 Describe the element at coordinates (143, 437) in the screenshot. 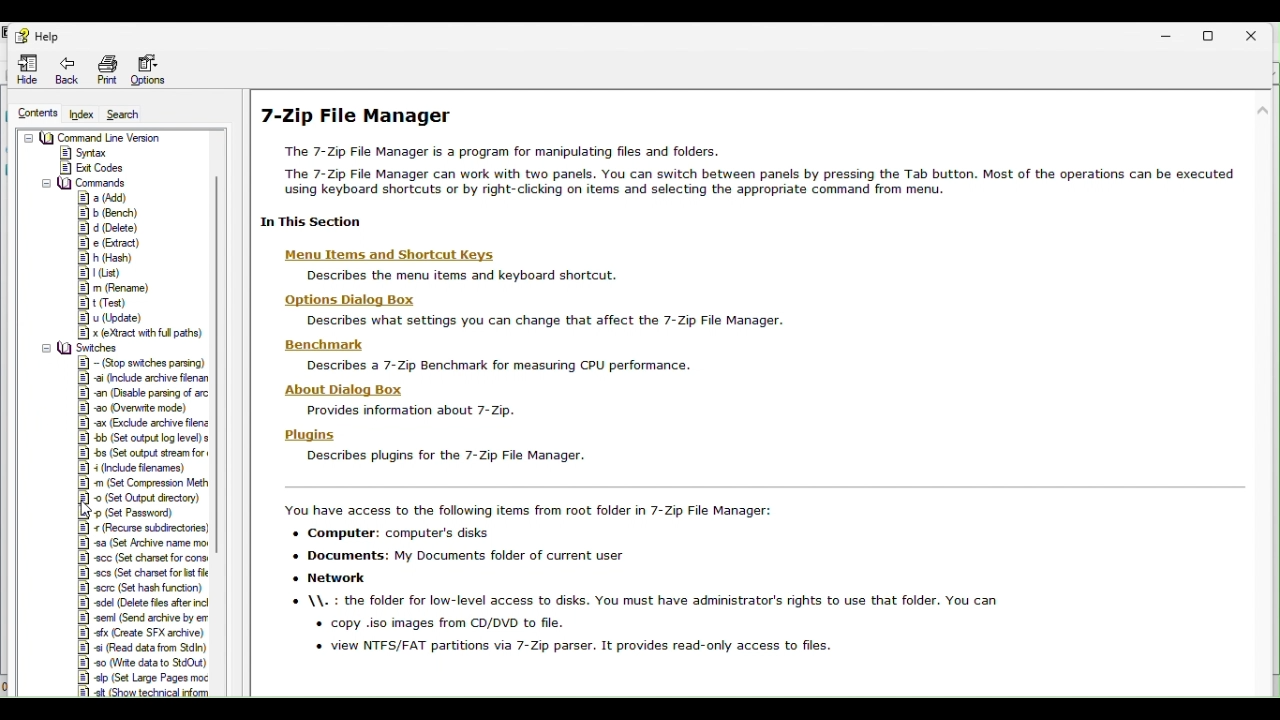

I see `Set output log` at that location.